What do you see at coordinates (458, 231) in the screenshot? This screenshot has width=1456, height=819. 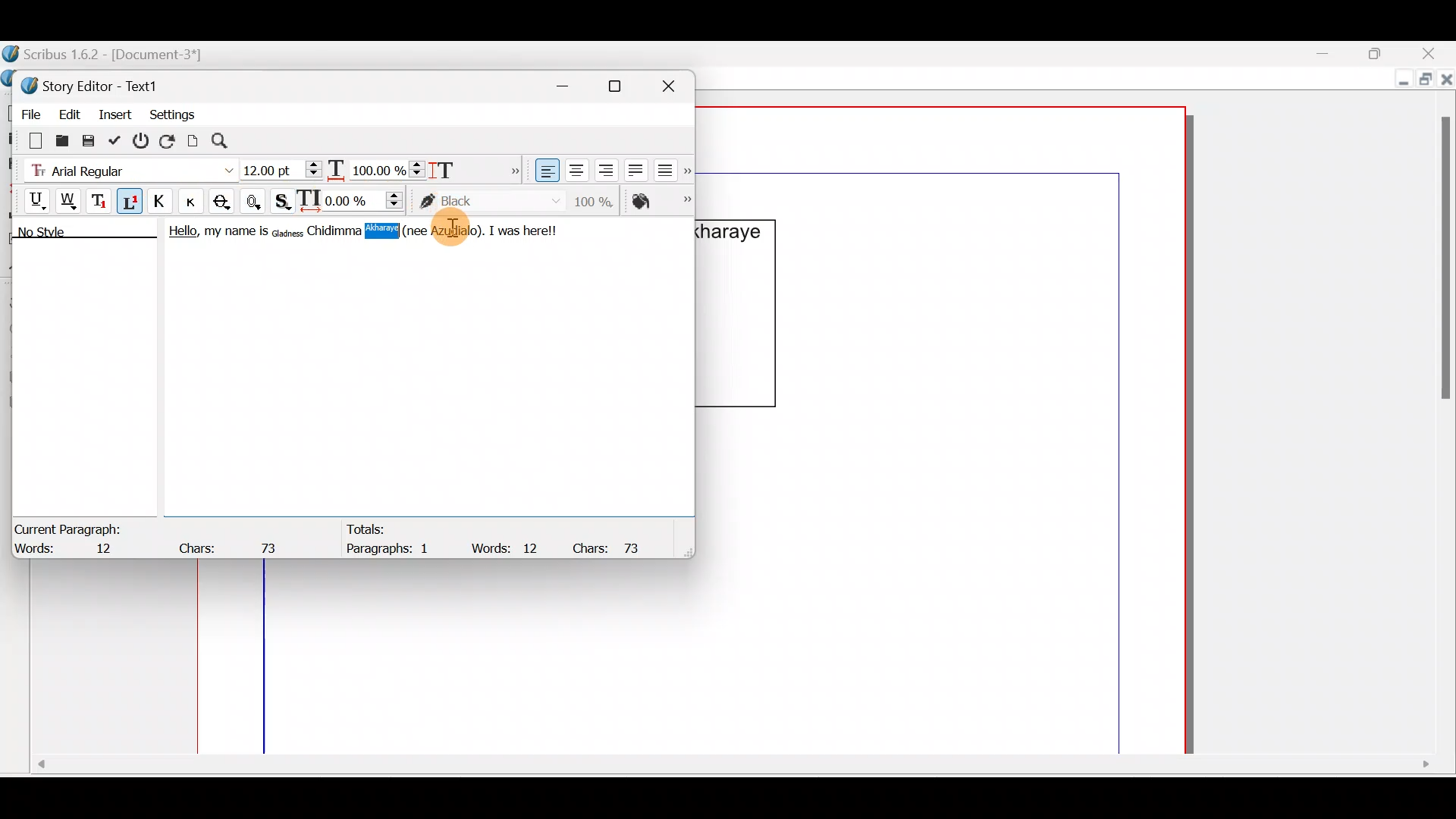 I see `Azudialo).` at bounding box center [458, 231].